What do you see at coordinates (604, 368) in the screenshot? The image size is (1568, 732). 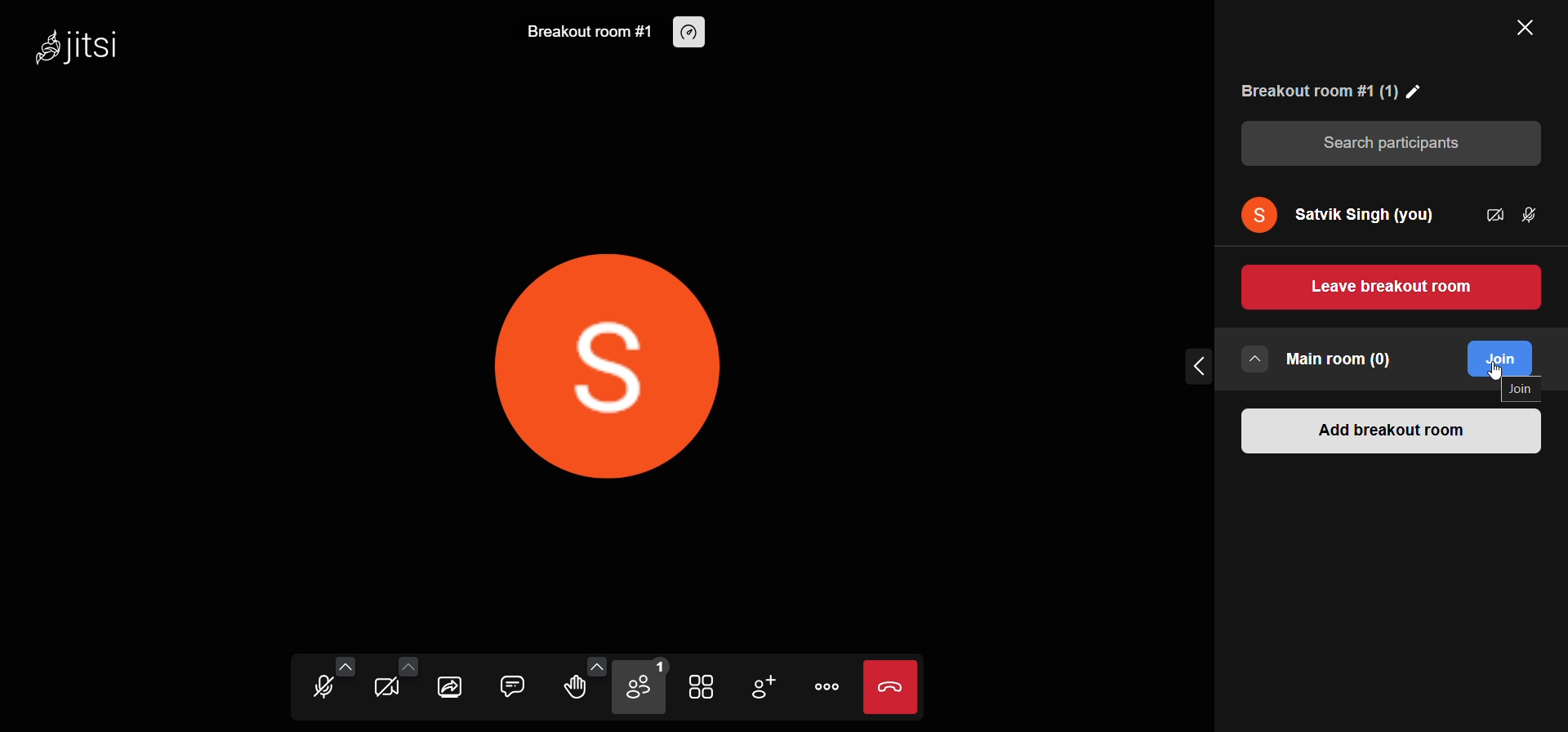 I see `display picture` at bounding box center [604, 368].